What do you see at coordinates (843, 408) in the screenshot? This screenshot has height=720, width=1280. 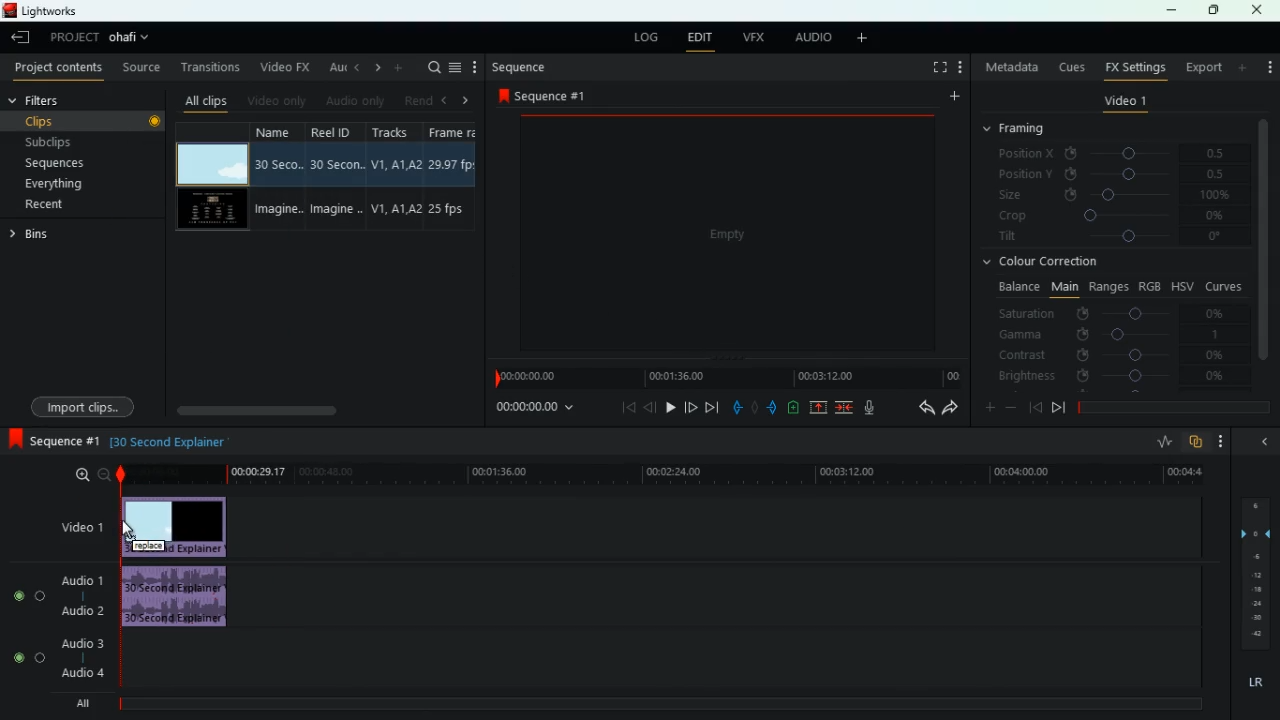 I see `join` at bounding box center [843, 408].